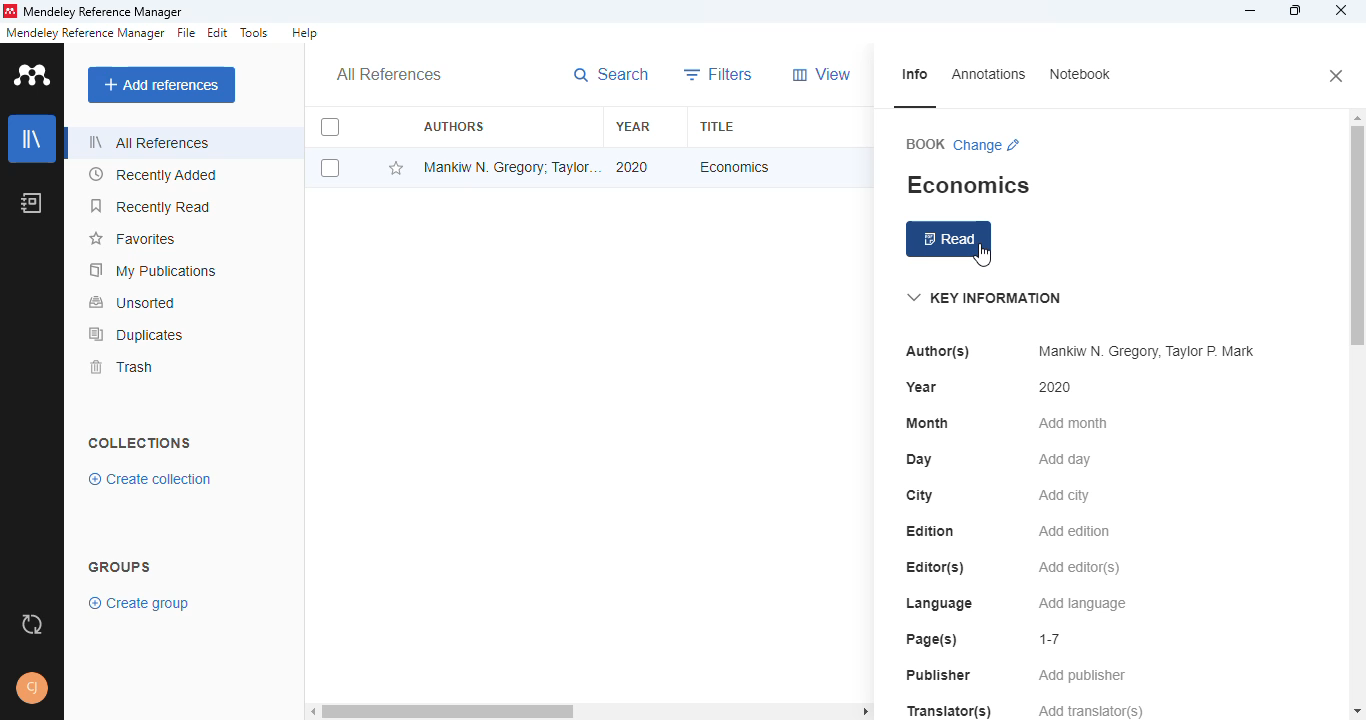 The width and height of the screenshot is (1366, 720). Describe the element at coordinates (1144, 351) in the screenshot. I see `Mankiw N. Gregory, Taylor P. Mark` at that location.